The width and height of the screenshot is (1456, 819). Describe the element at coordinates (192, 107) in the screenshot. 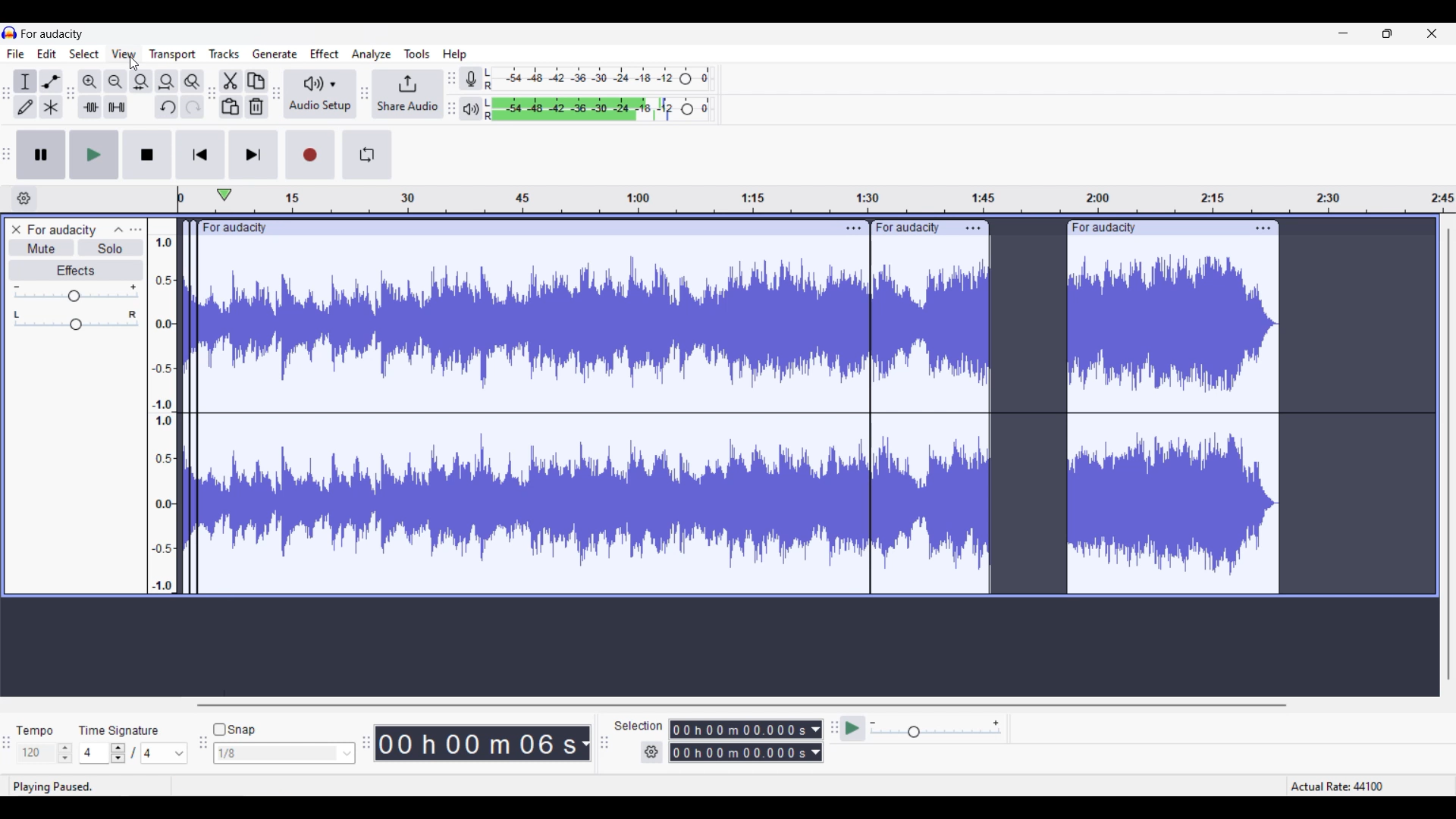

I see `Redo` at that location.